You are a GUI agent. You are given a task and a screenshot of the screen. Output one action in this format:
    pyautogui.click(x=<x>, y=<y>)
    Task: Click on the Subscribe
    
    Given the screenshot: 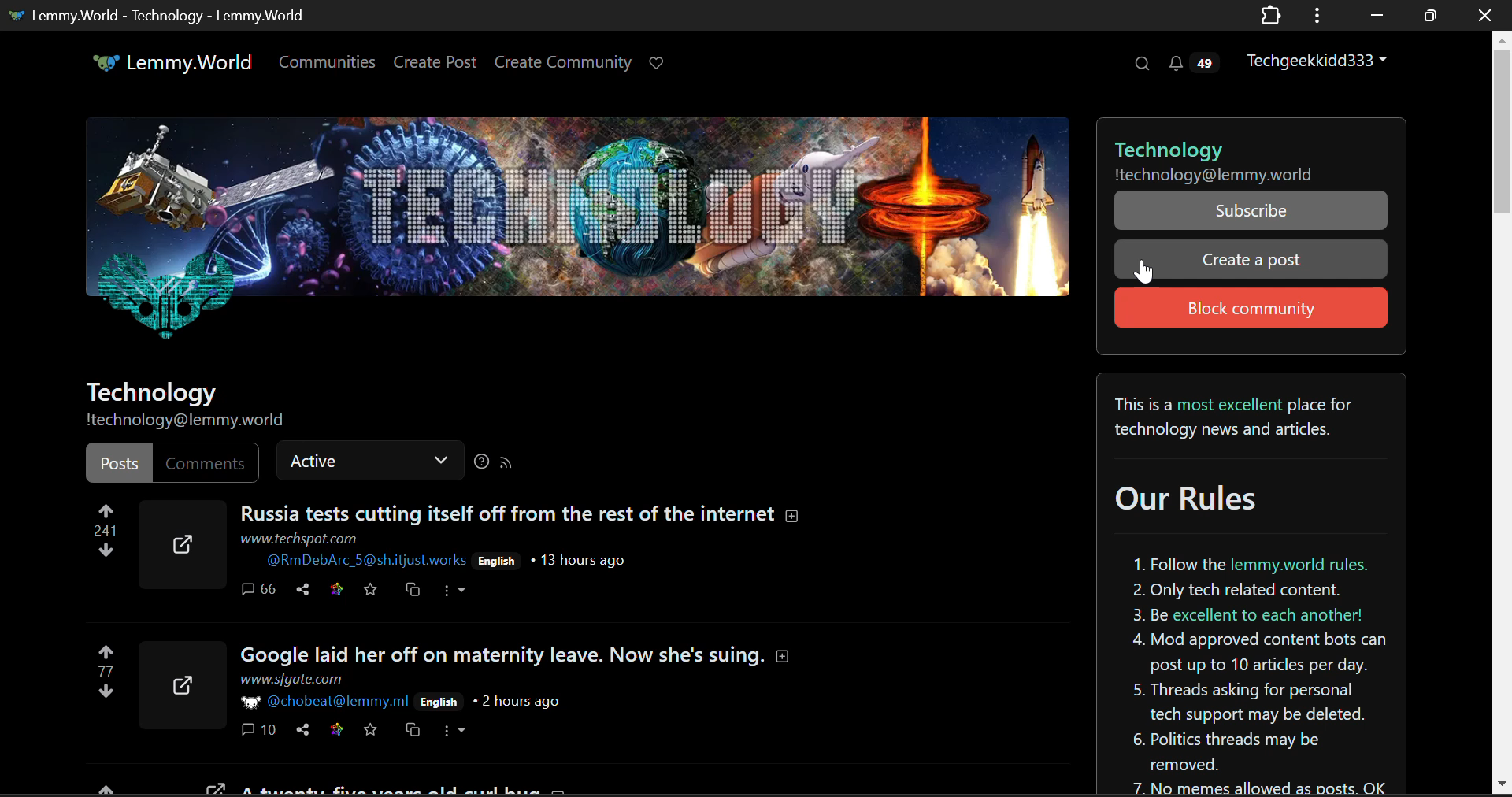 What is the action you would take?
    pyautogui.click(x=1251, y=210)
    